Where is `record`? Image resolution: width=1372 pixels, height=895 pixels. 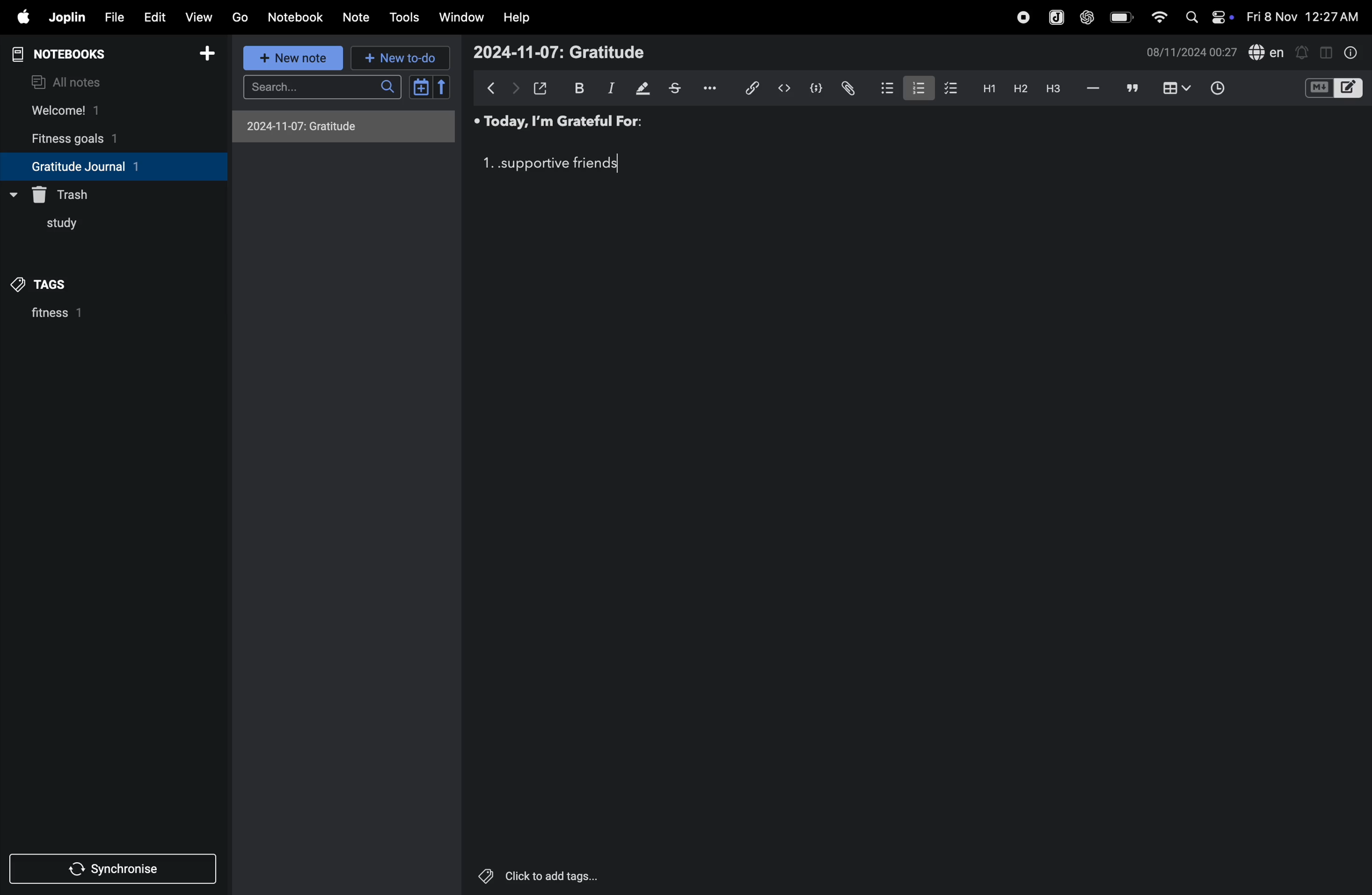 record is located at coordinates (1021, 18).